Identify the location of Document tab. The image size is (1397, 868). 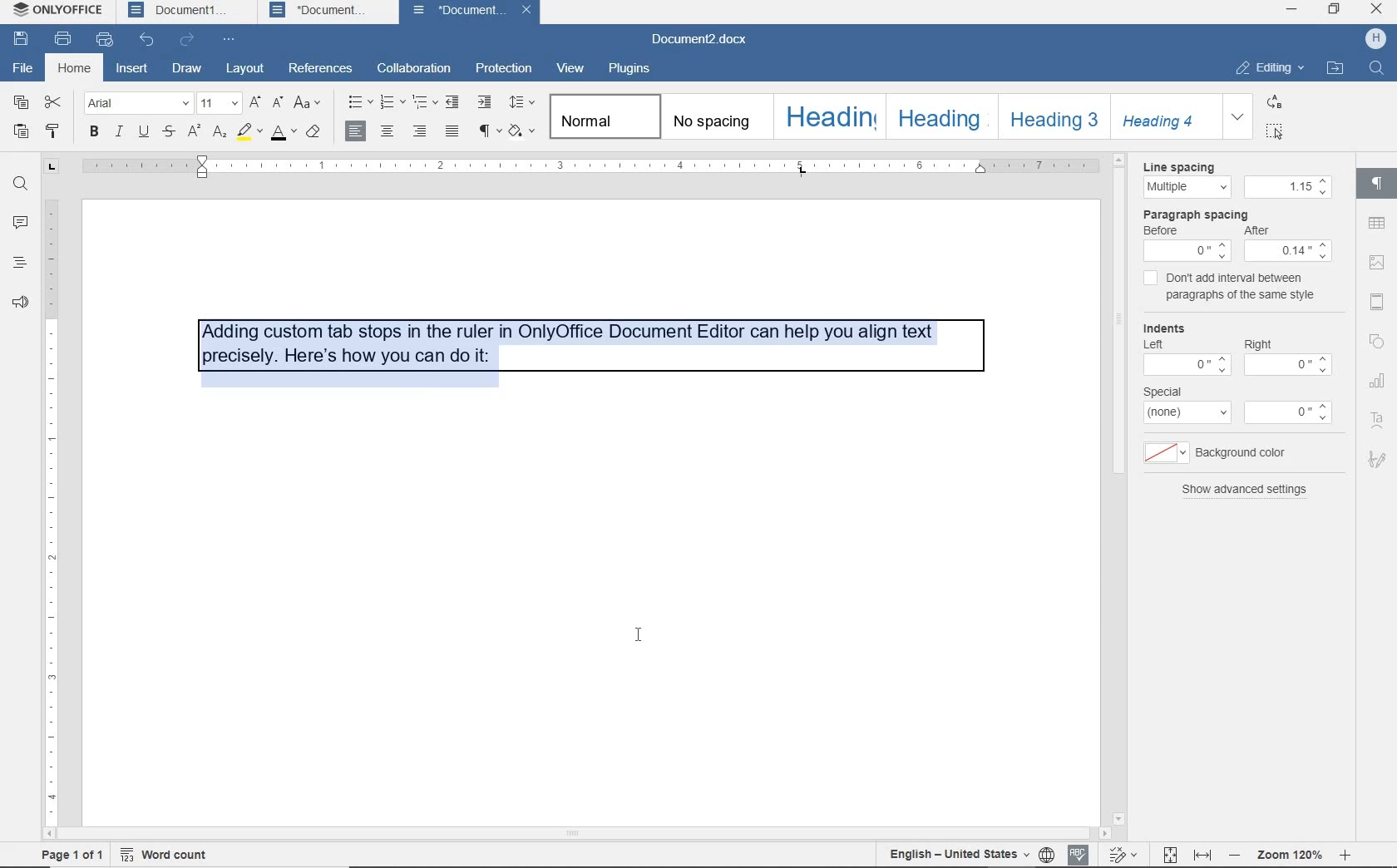
(322, 11).